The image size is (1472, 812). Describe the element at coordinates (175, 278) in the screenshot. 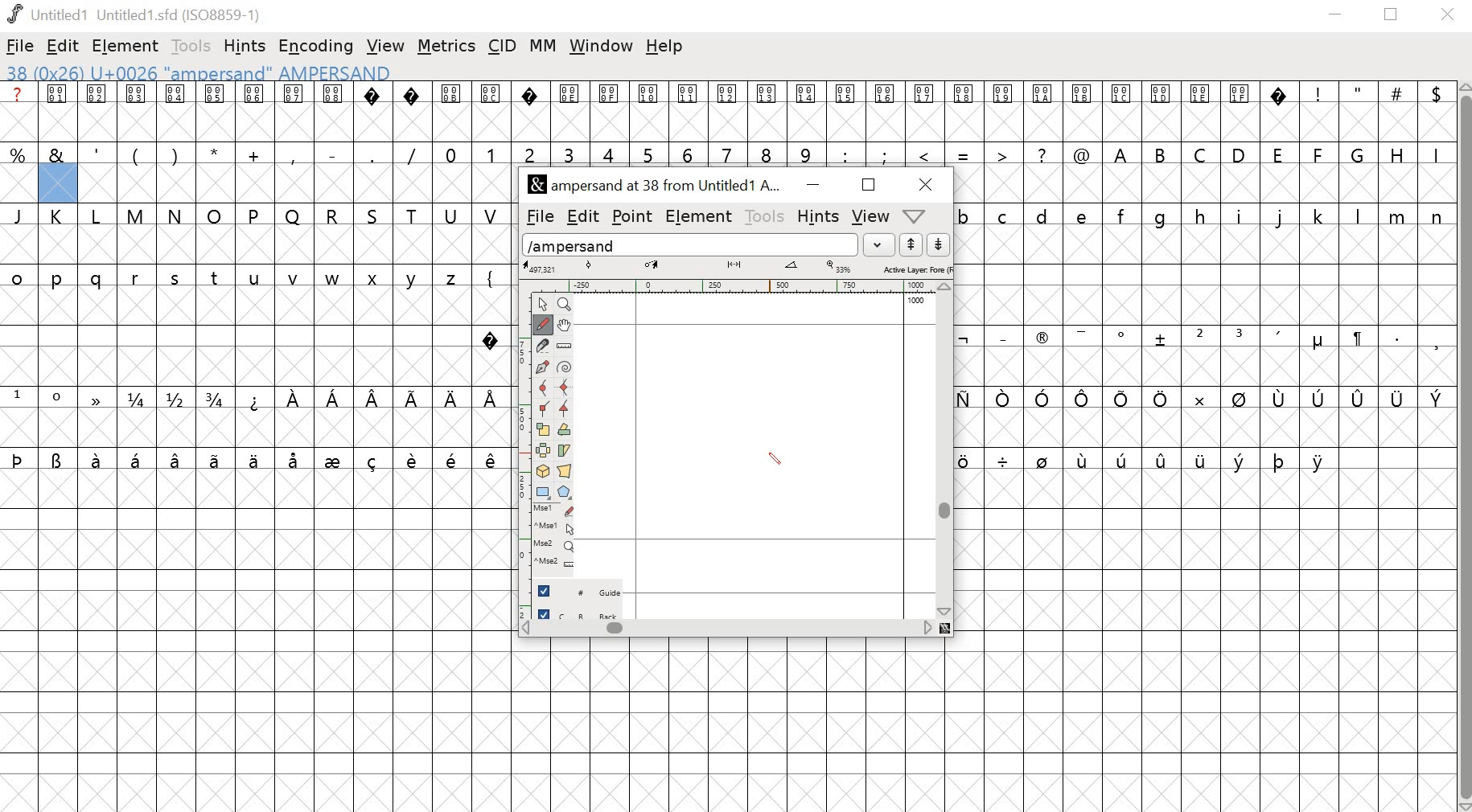

I see `s` at that location.